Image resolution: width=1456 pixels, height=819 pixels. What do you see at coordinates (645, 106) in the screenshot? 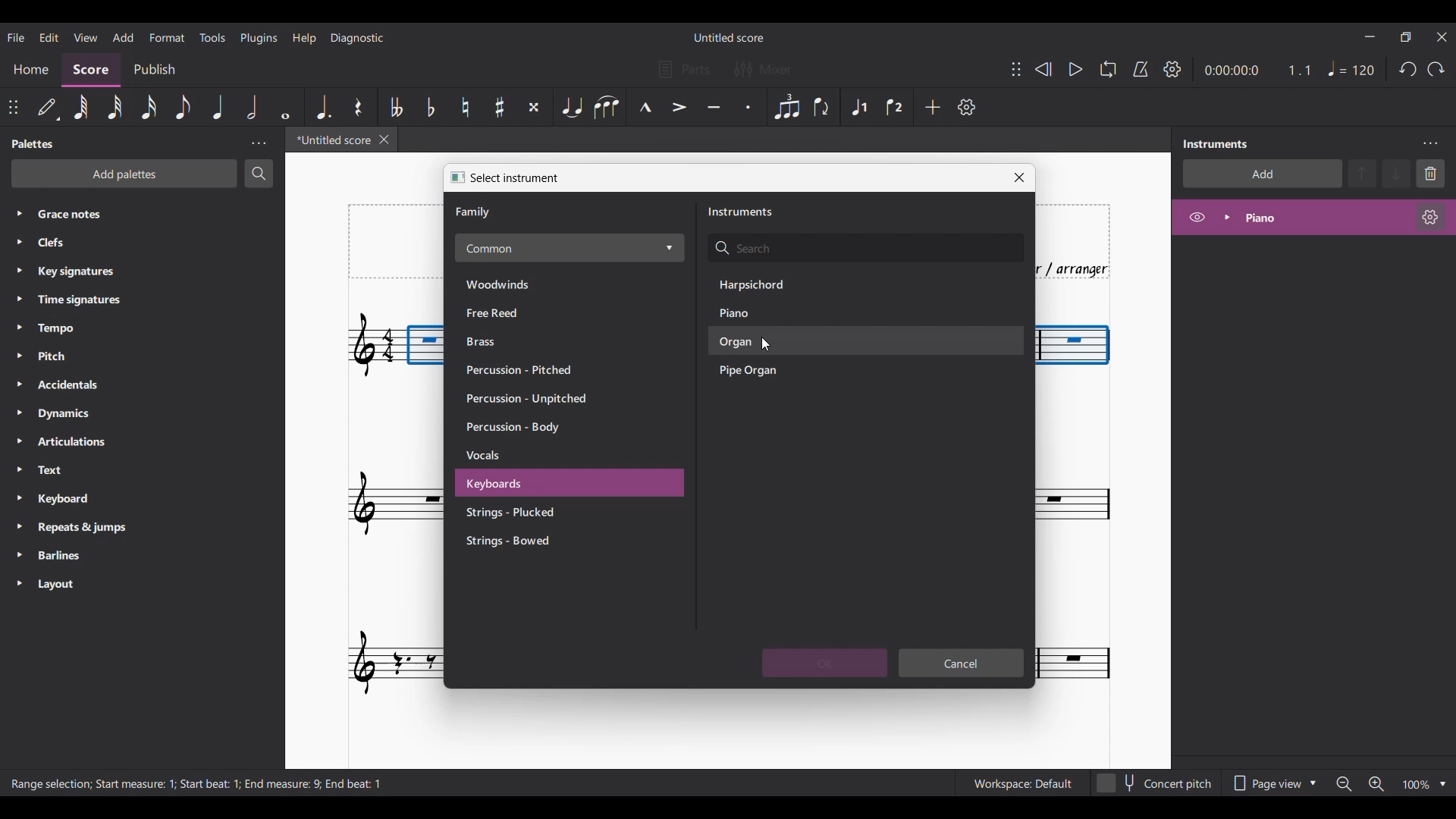
I see `Marcato` at bounding box center [645, 106].